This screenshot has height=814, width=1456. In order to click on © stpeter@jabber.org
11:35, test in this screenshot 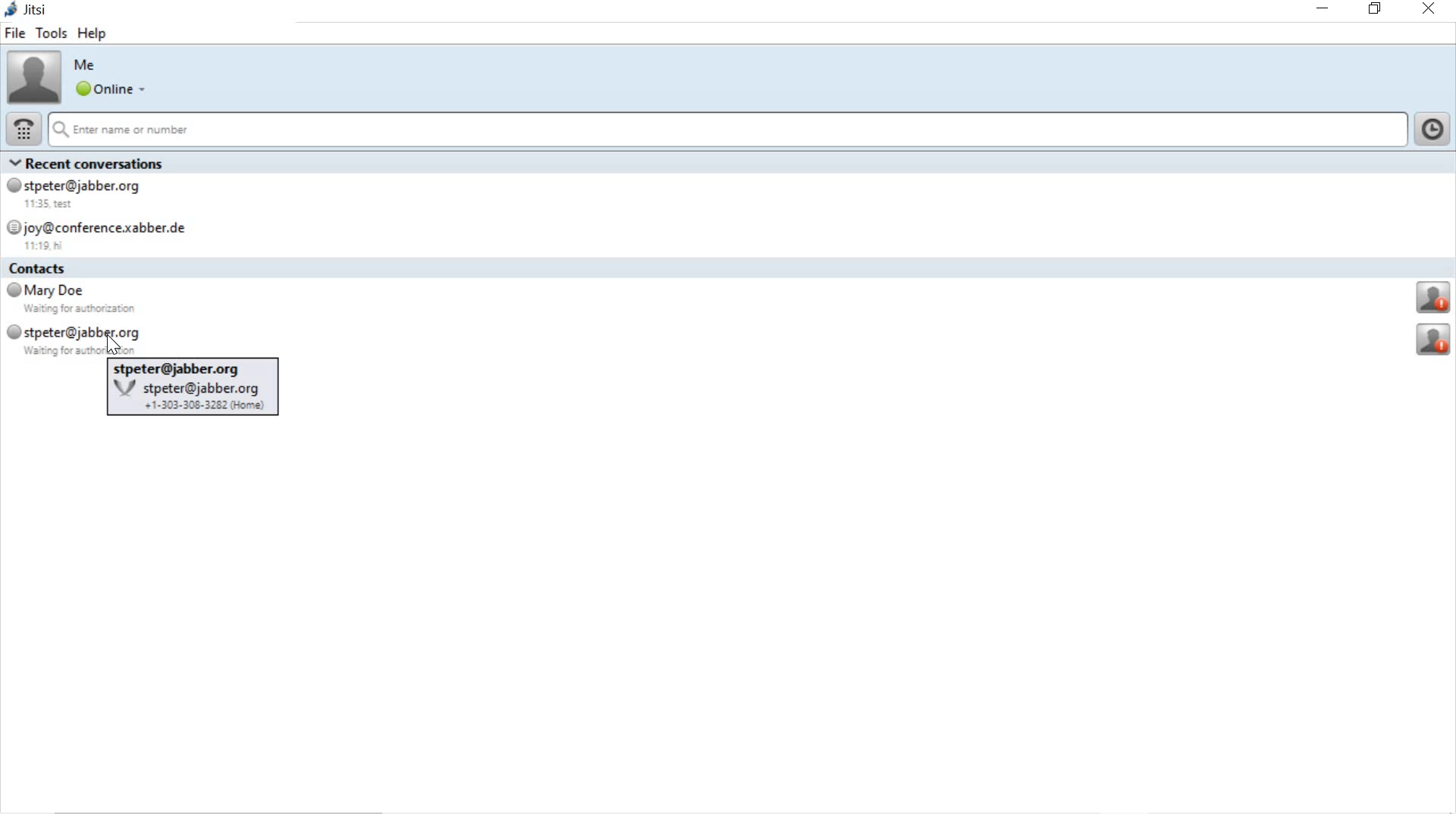, I will do `click(83, 193)`.